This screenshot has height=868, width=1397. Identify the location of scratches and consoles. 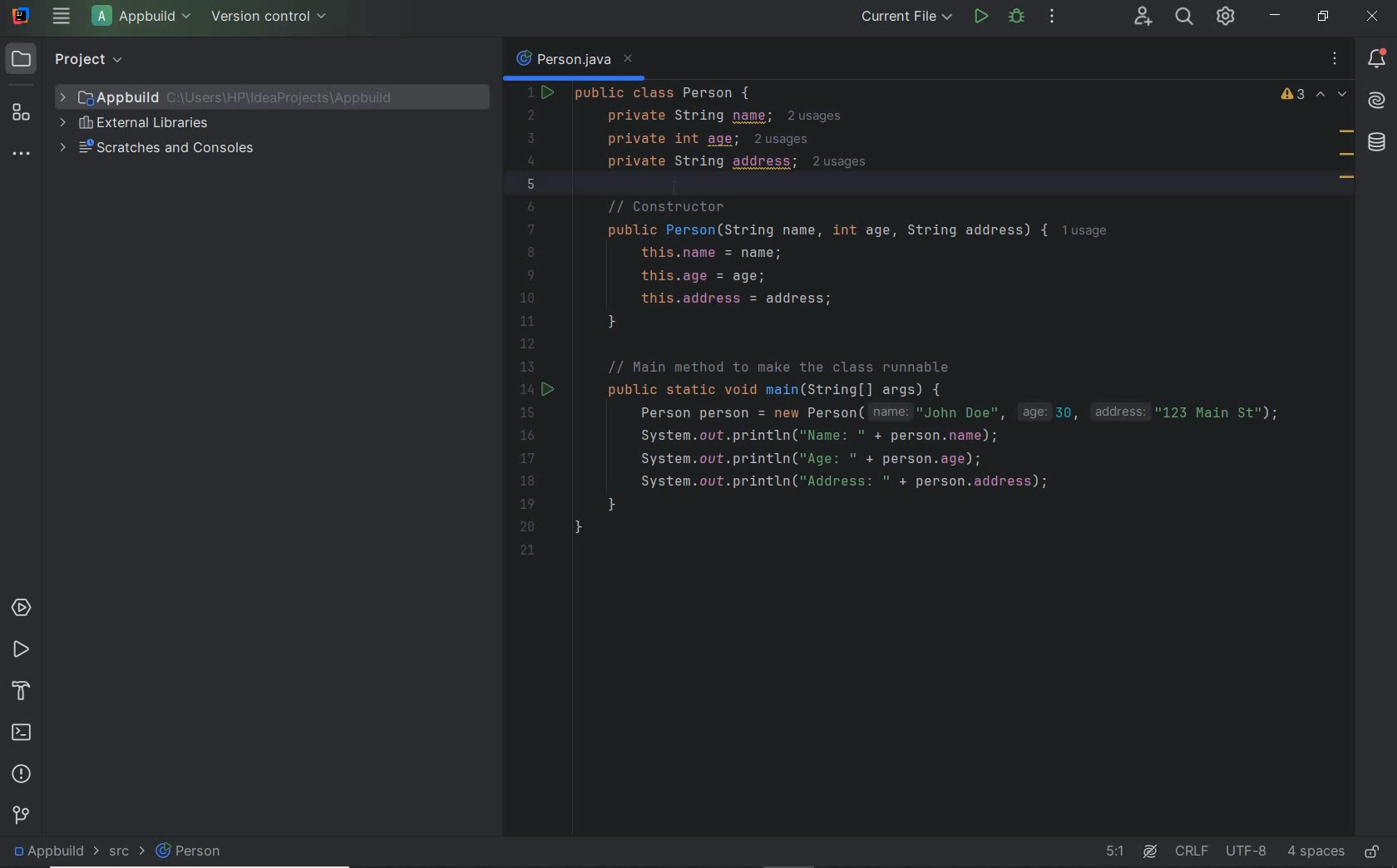
(160, 147).